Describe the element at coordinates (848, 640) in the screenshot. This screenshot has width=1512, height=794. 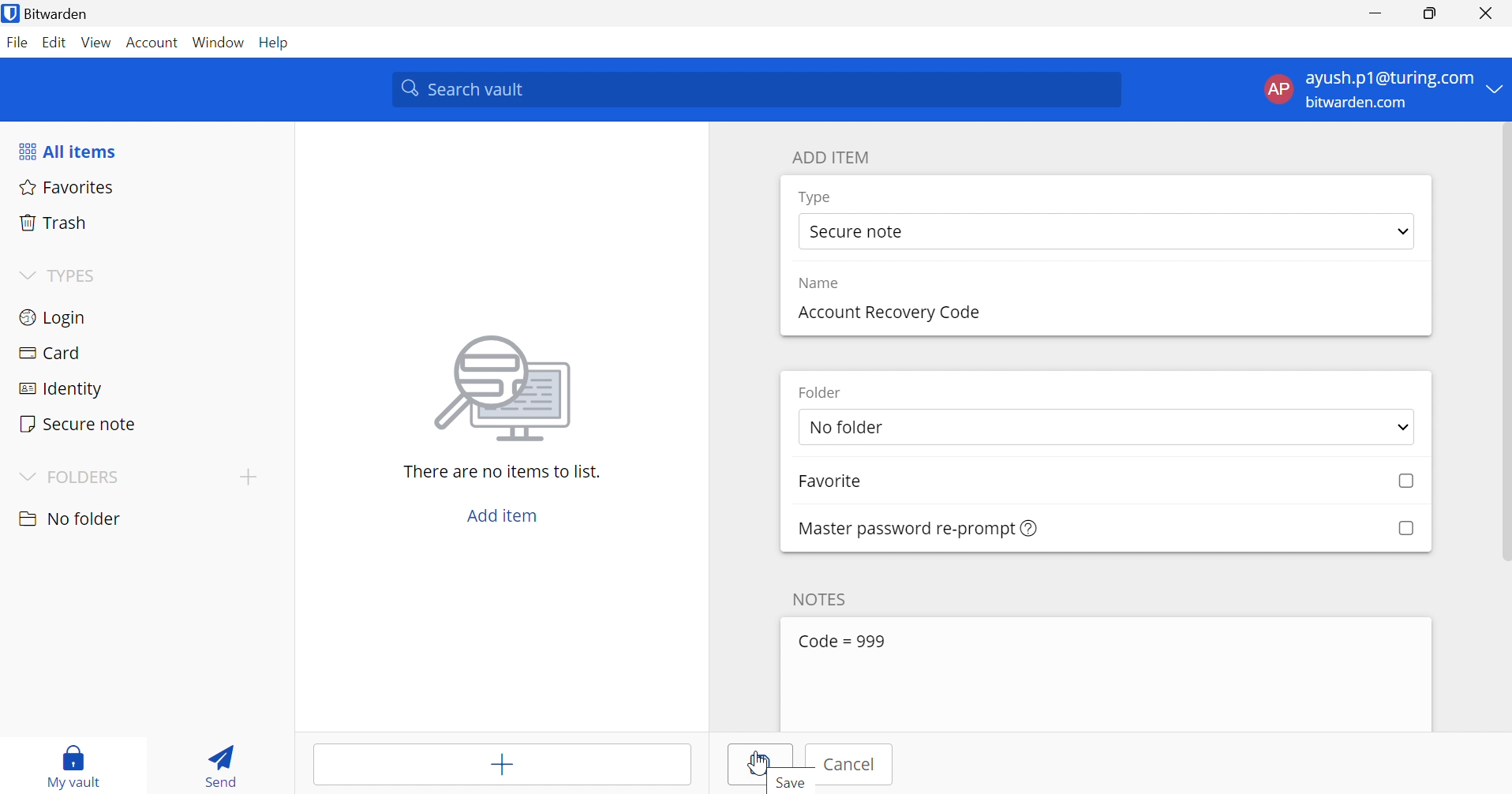
I see `Code = 999` at that location.